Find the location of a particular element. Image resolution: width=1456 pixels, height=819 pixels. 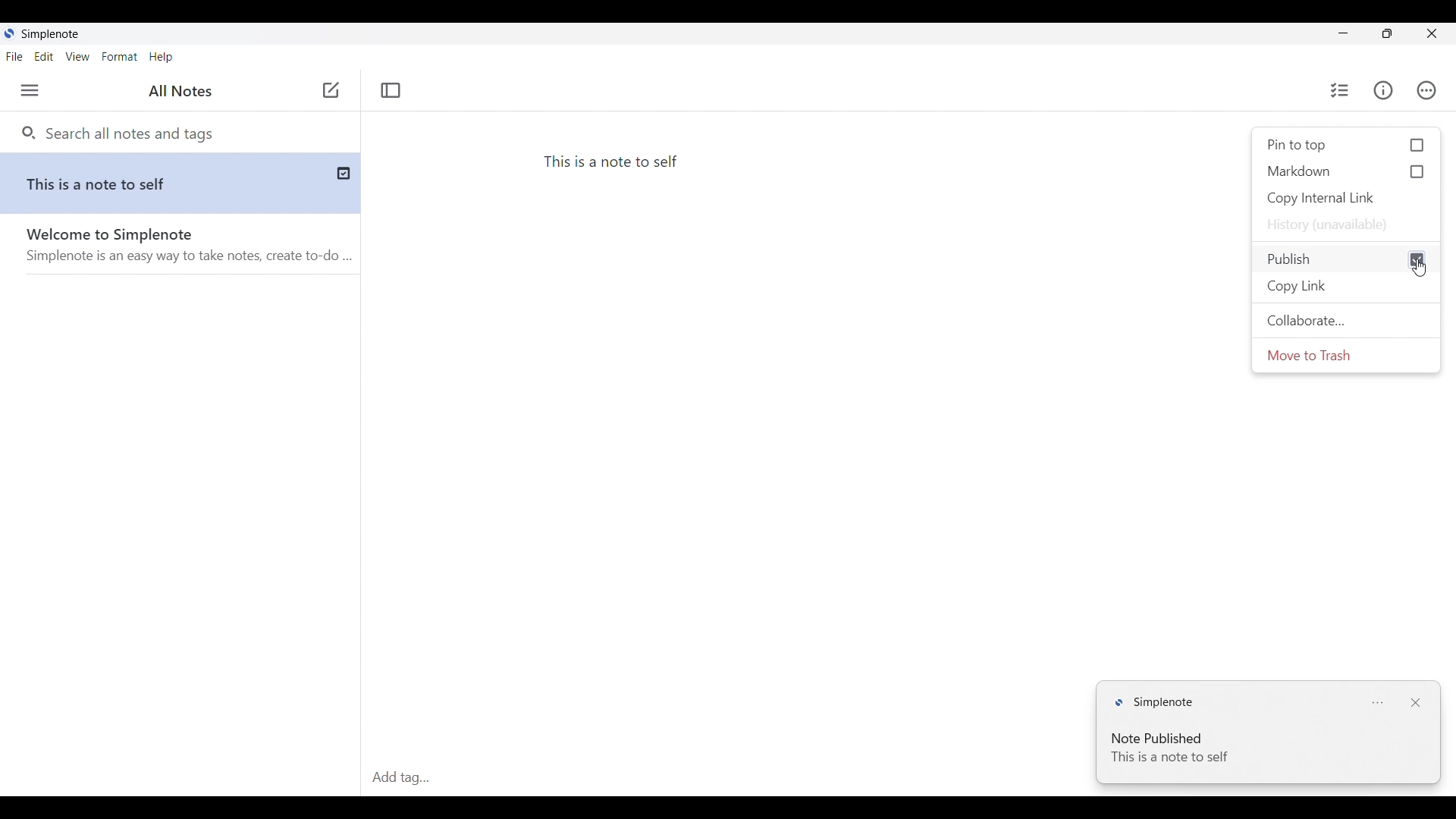

Format is located at coordinates (121, 57).